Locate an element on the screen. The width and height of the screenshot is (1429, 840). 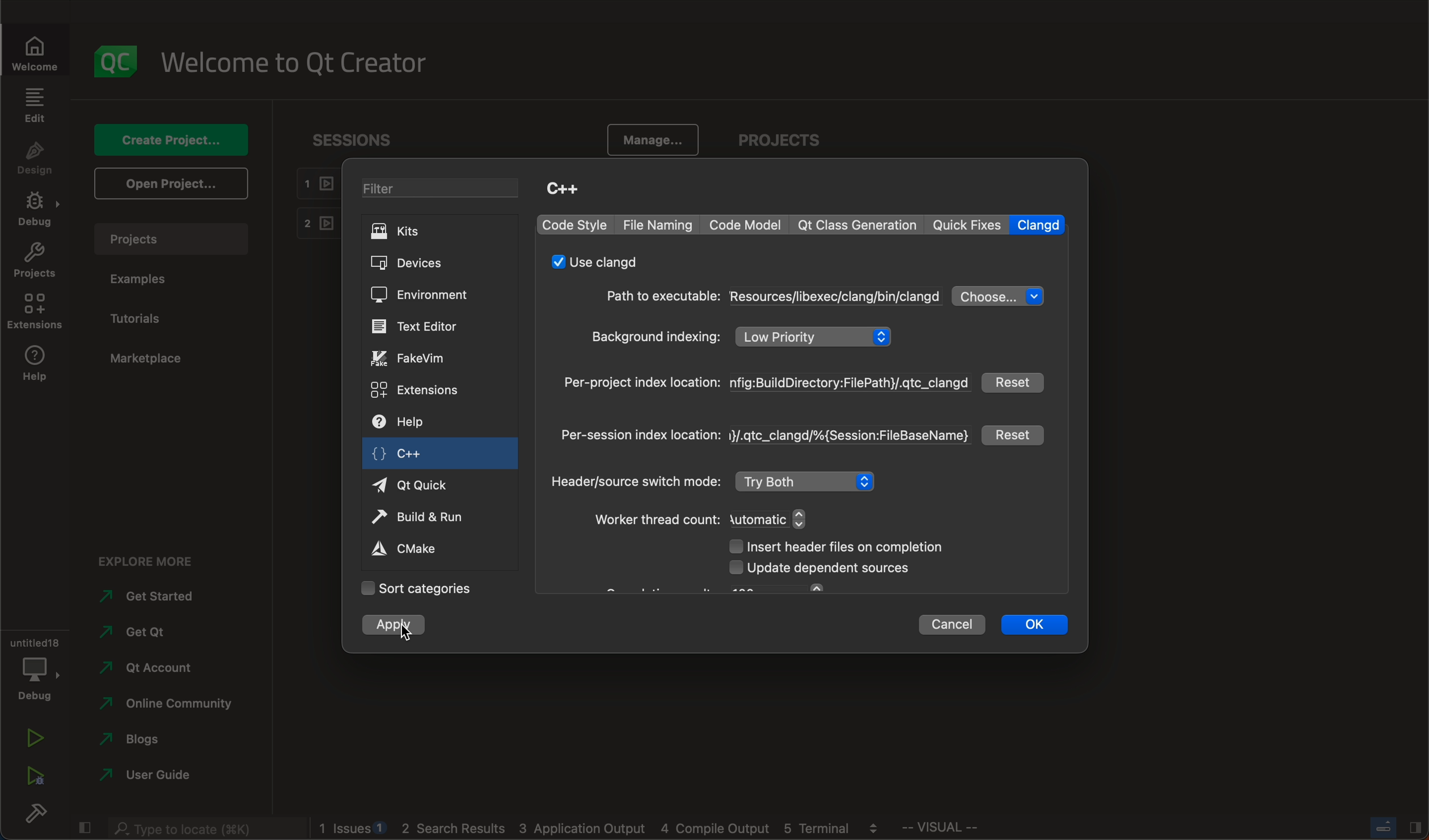
cmake is located at coordinates (421, 549).